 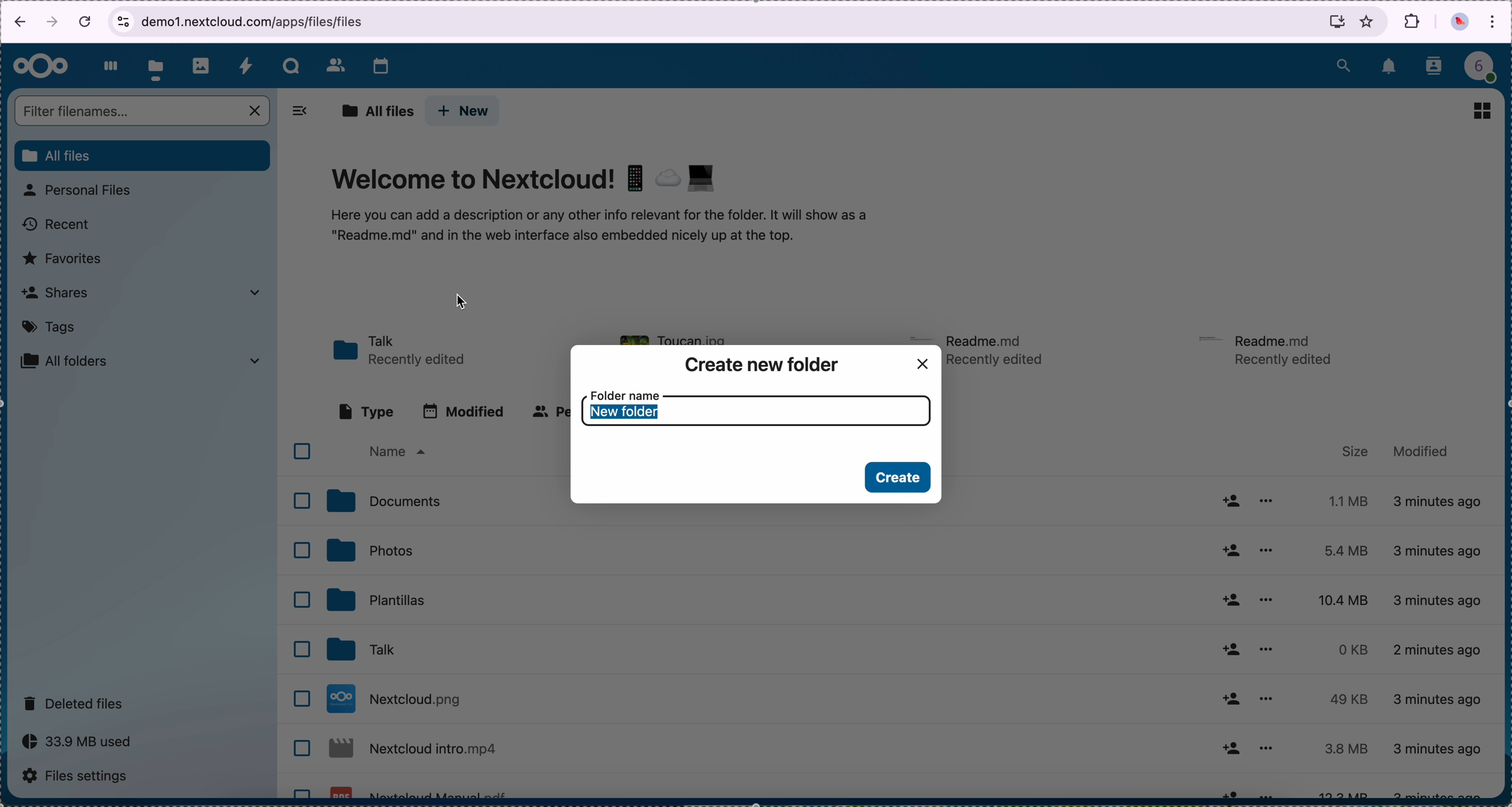 What do you see at coordinates (63, 259) in the screenshot?
I see `favorites` at bounding box center [63, 259].